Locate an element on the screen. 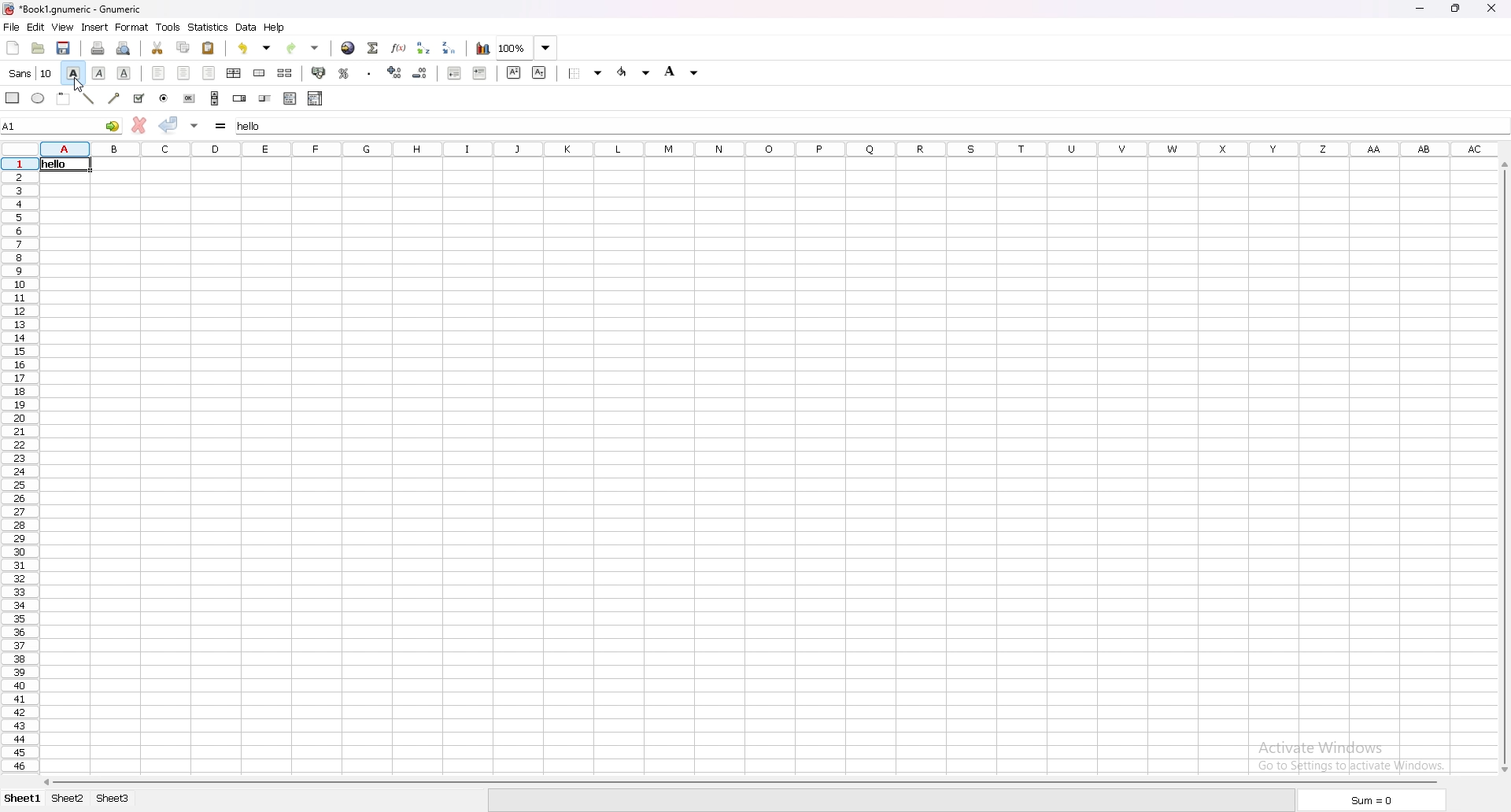  view is located at coordinates (62, 27).